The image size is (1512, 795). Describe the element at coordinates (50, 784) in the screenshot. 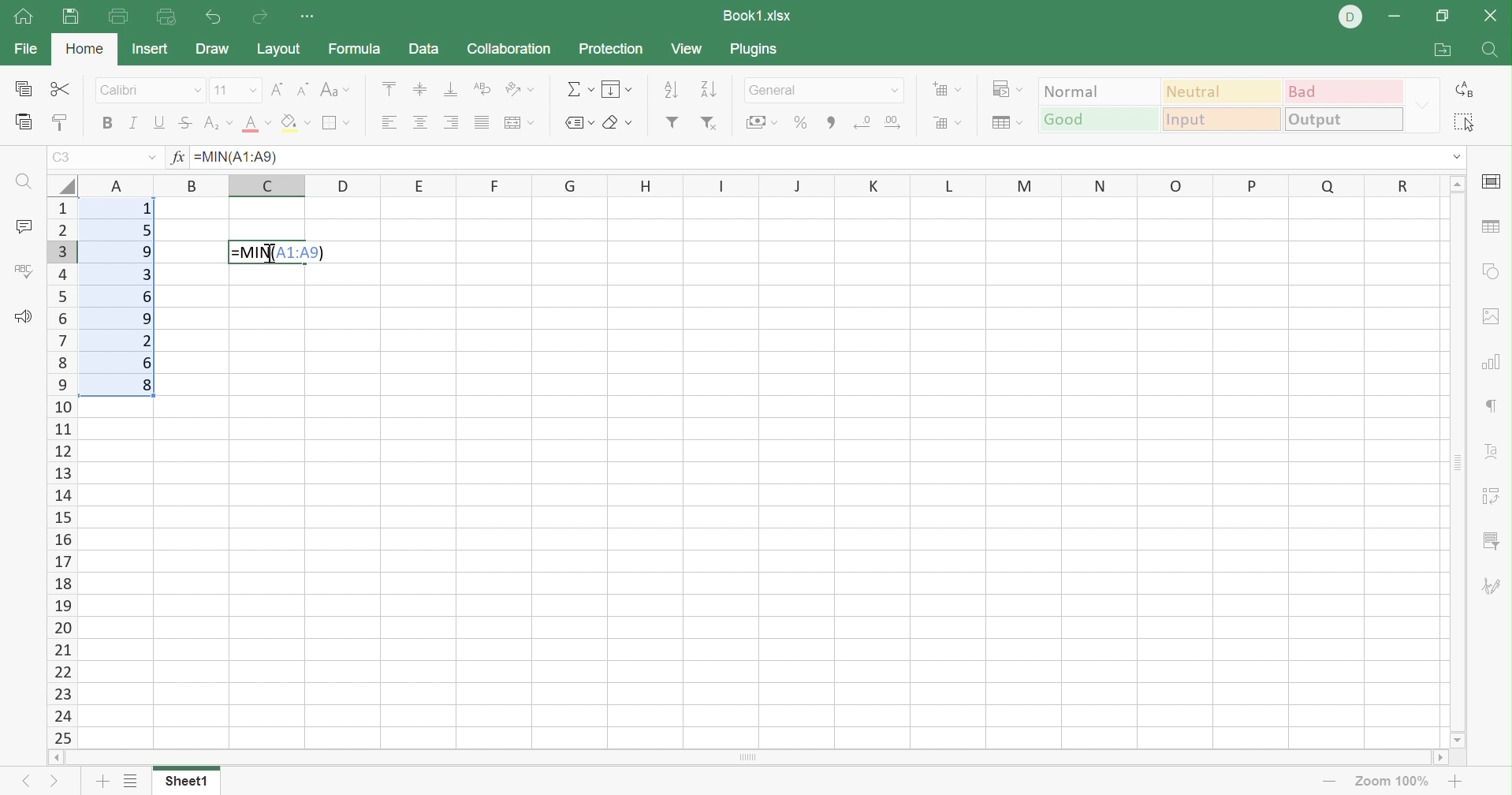

I see `Next` at that location.